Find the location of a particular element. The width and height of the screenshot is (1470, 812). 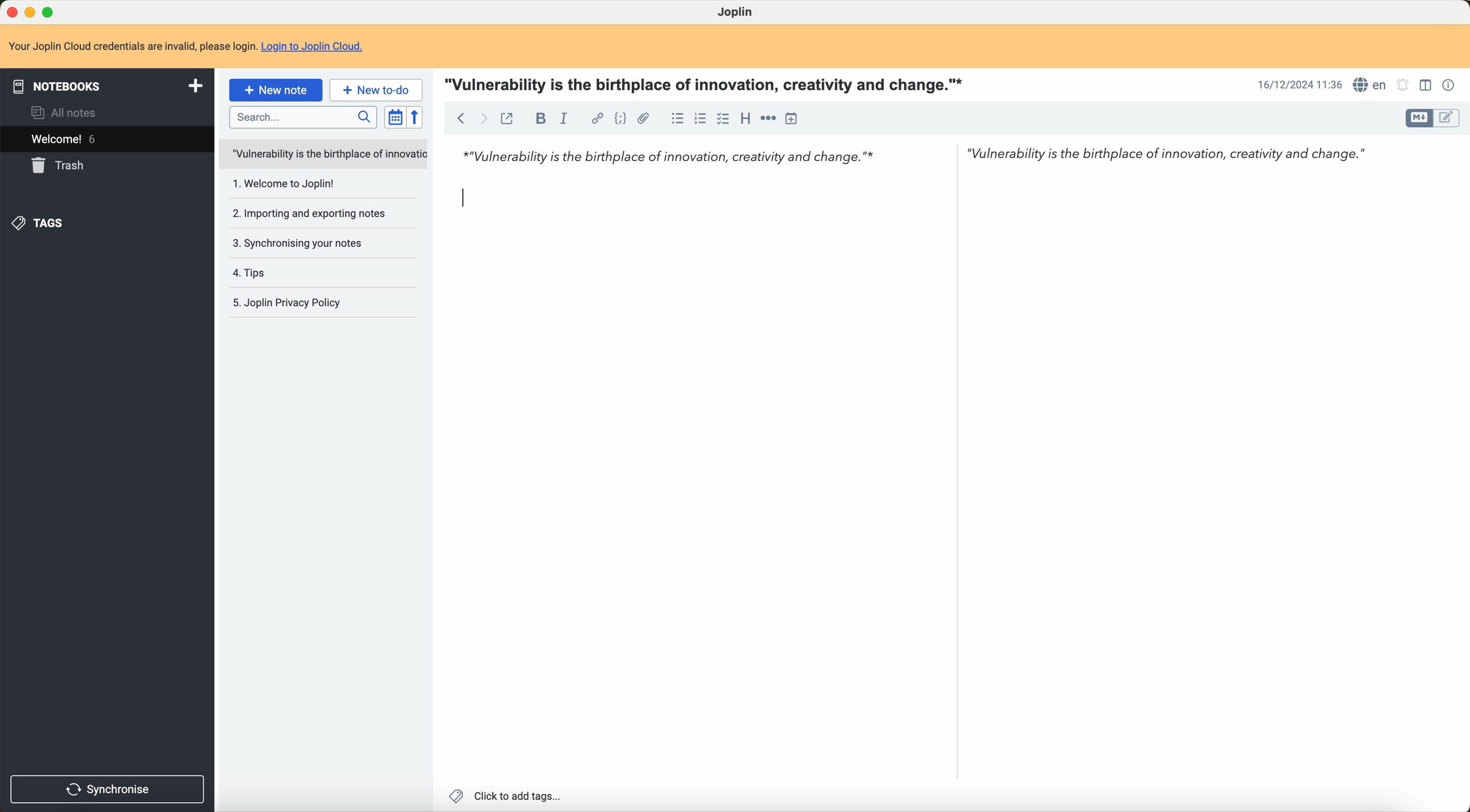

"Vulnerability is the birthplace of innovation, creativity and change."* is located at coordinates (708, 83).